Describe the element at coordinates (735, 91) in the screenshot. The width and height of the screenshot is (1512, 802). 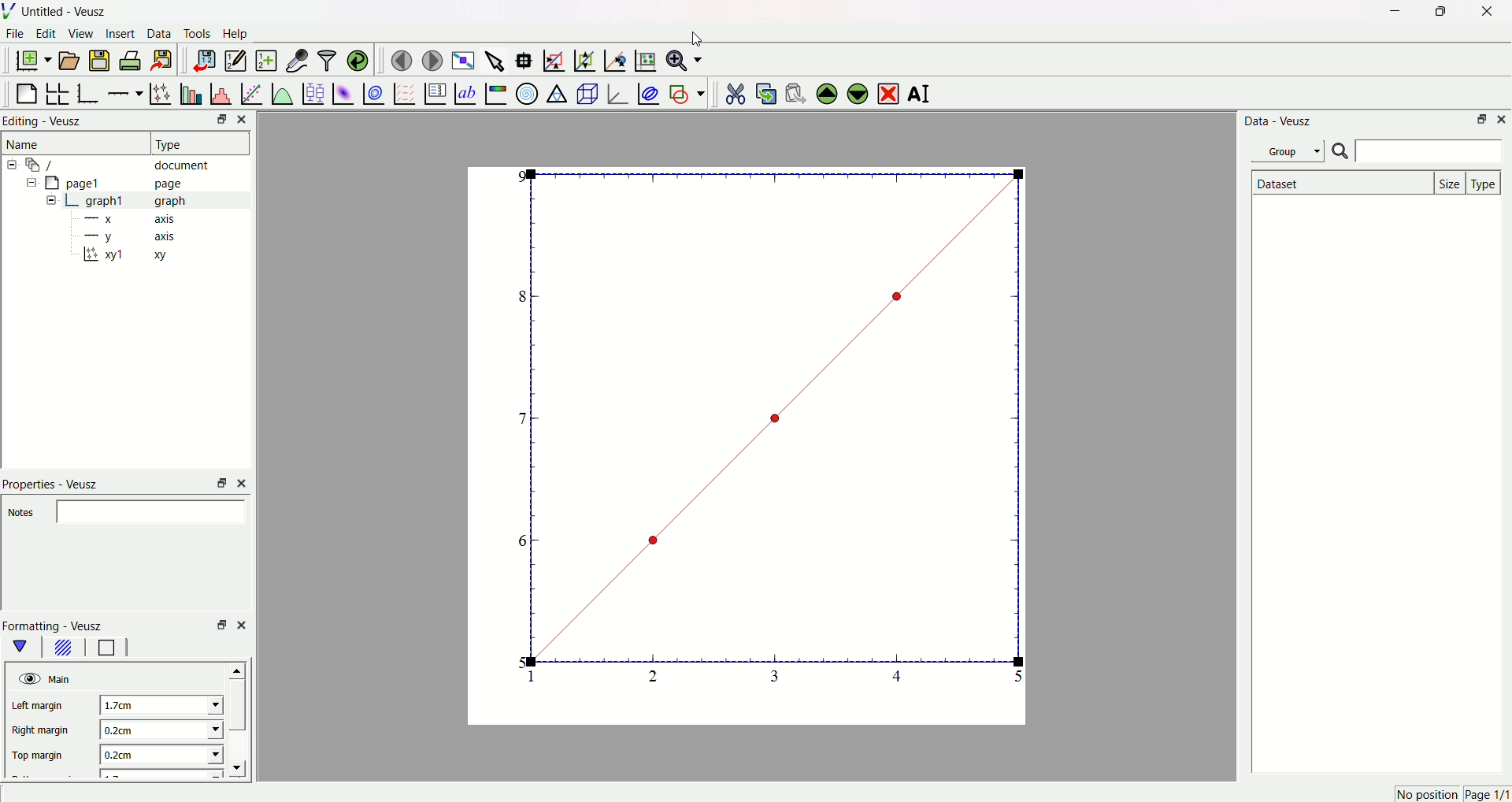
I see `cut the widgets` at that location.